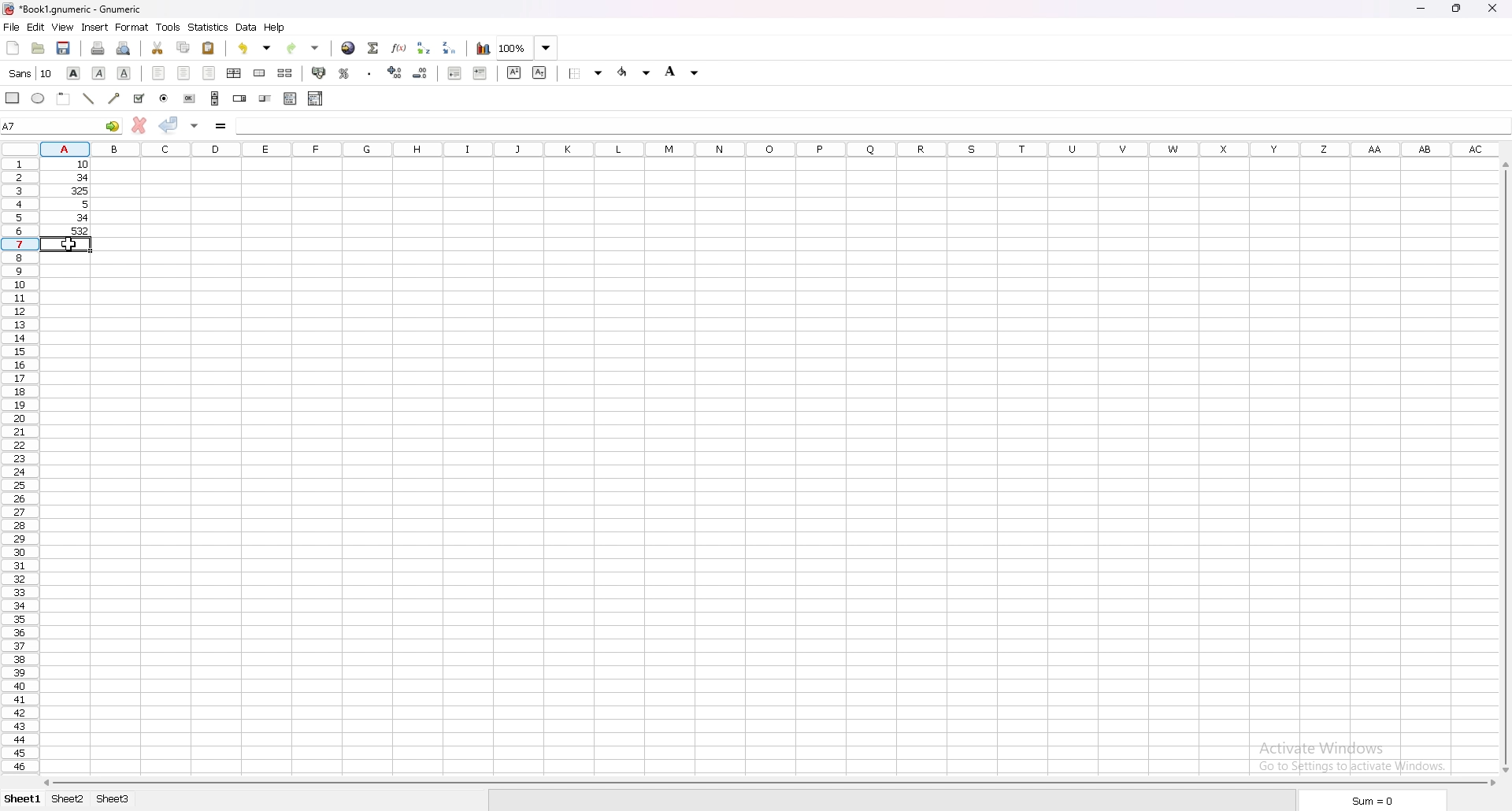 The image size is (1512, 811). What do you see at coordinates (194, 124) in the screenshot?
I see `accept changes in all cells` at bounding box center [194, 124].